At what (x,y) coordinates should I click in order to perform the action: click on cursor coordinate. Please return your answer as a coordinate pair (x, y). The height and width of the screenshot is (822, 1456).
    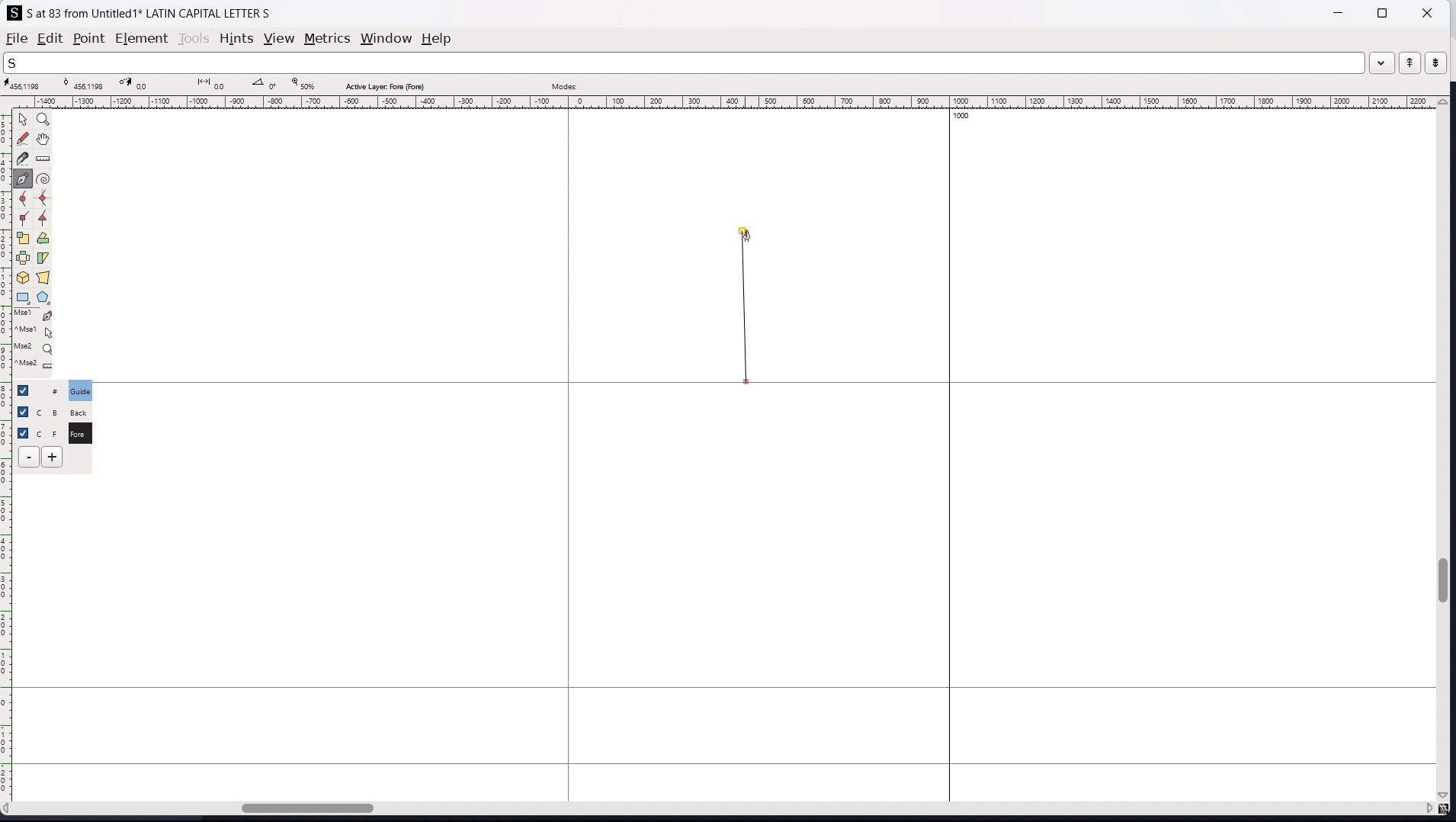
    Looking at the image, I should click on (25, 85).